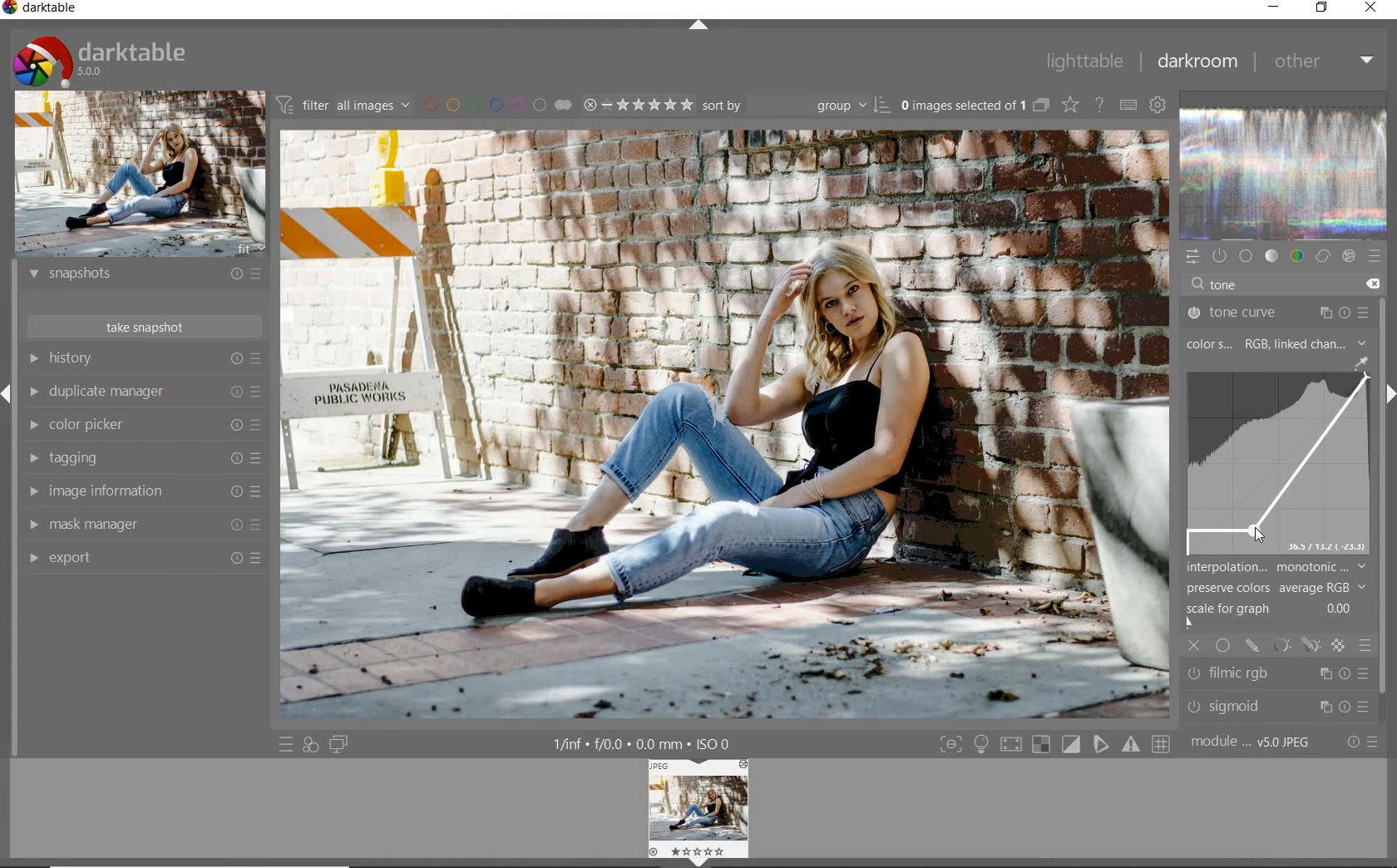 The width and height of the screenshot is (1397, 868). I want to click on set keyboard shortcuts, so click(1128, 106).